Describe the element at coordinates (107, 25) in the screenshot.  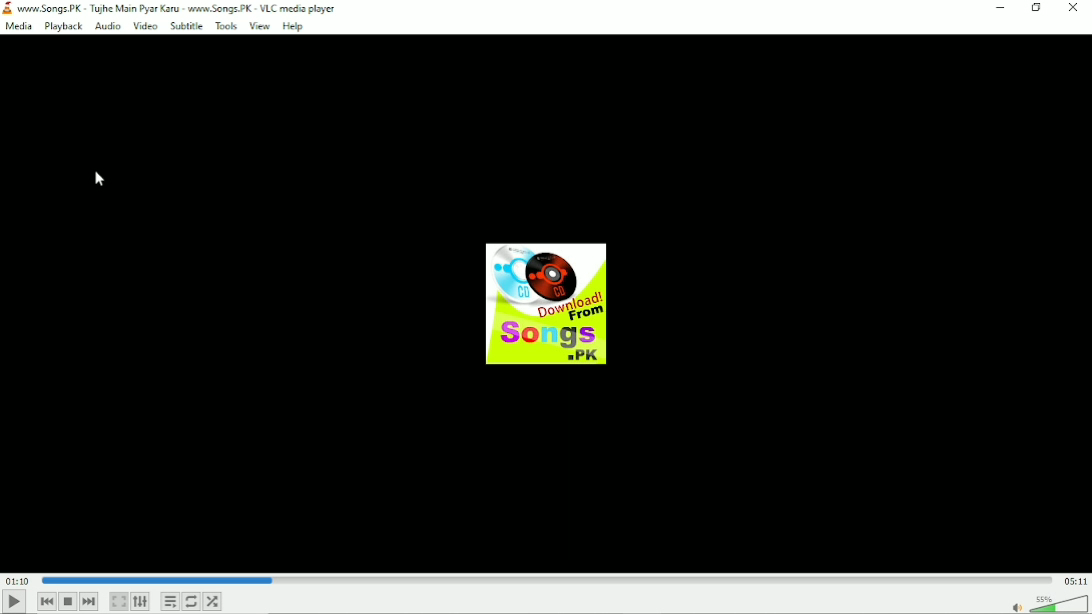
I see `Audio` at that location.